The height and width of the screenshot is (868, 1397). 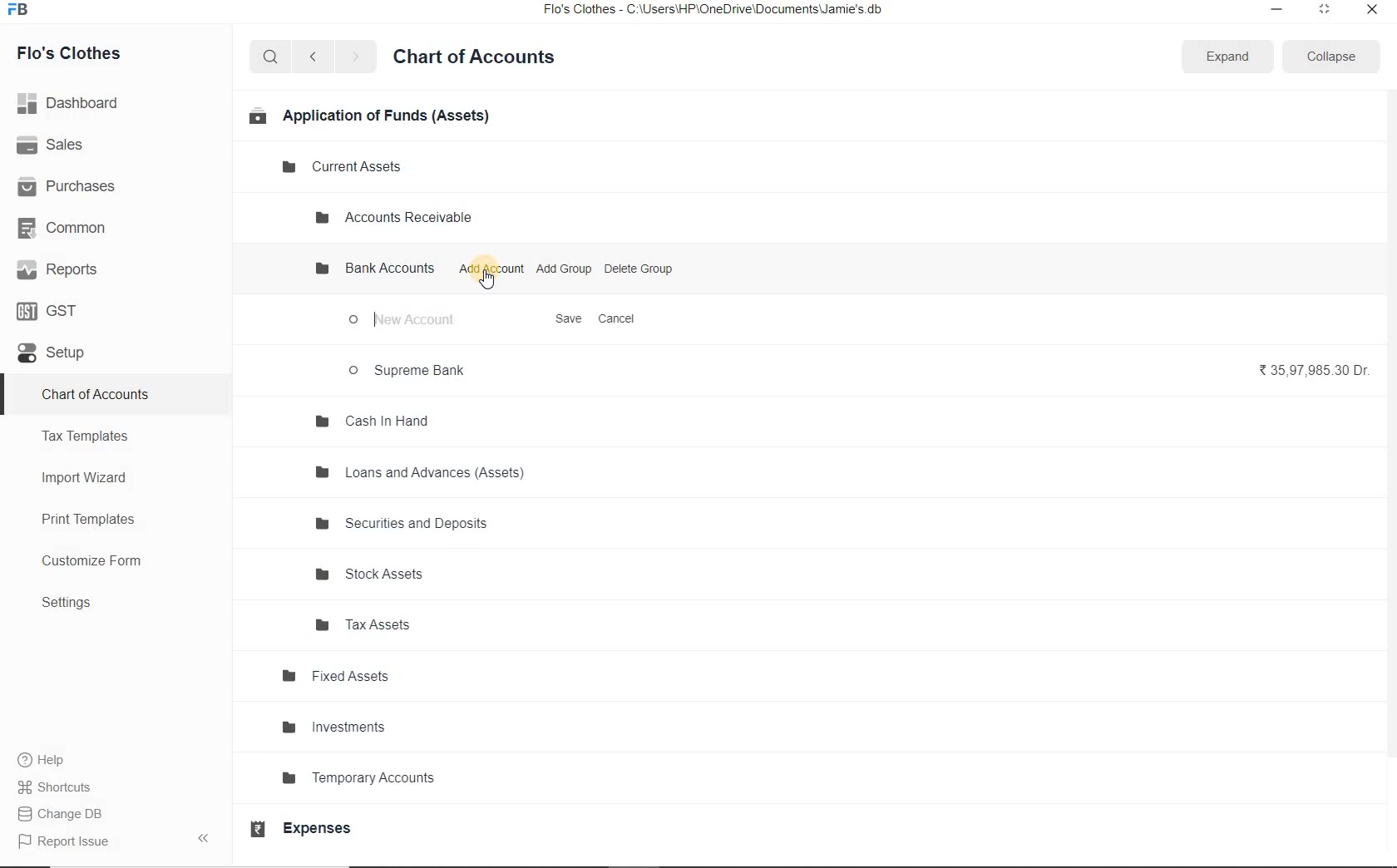 I want to click on Application of Funds (Assets), so click(x=372, y=116).